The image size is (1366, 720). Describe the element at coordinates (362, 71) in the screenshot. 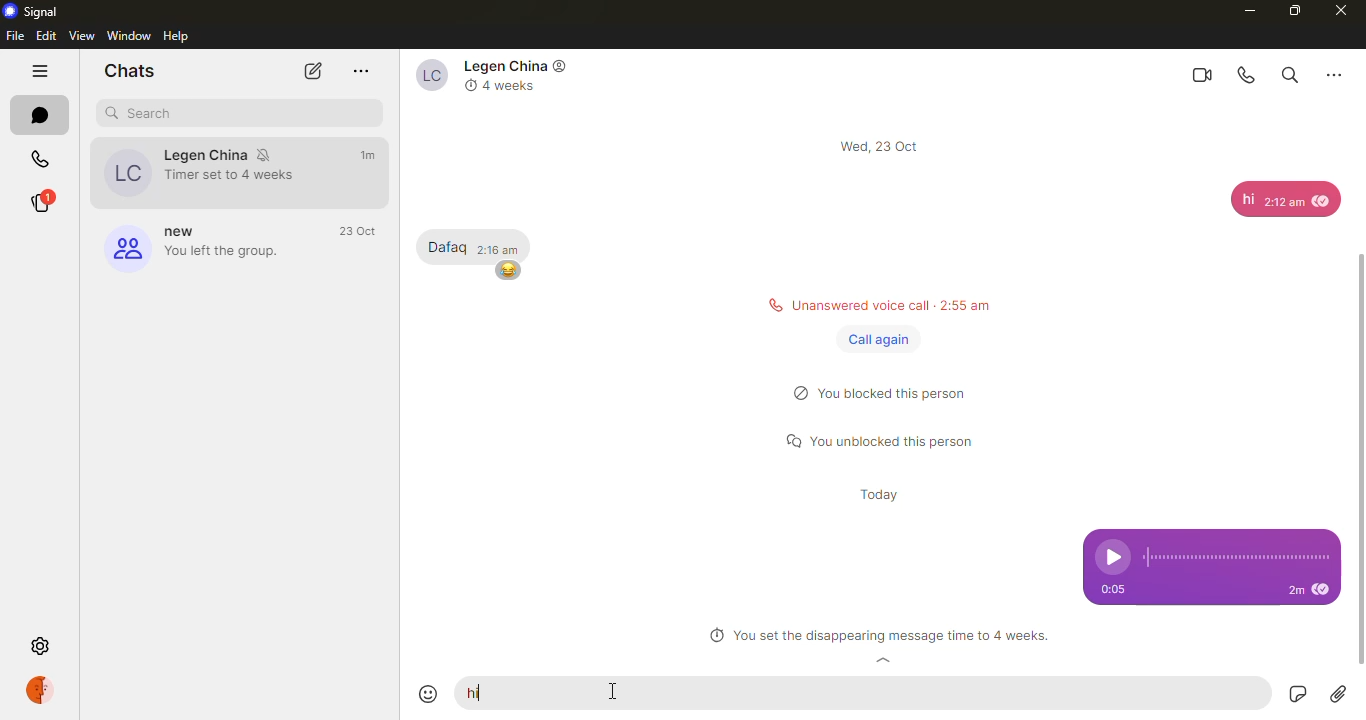

I see `more` at that location.